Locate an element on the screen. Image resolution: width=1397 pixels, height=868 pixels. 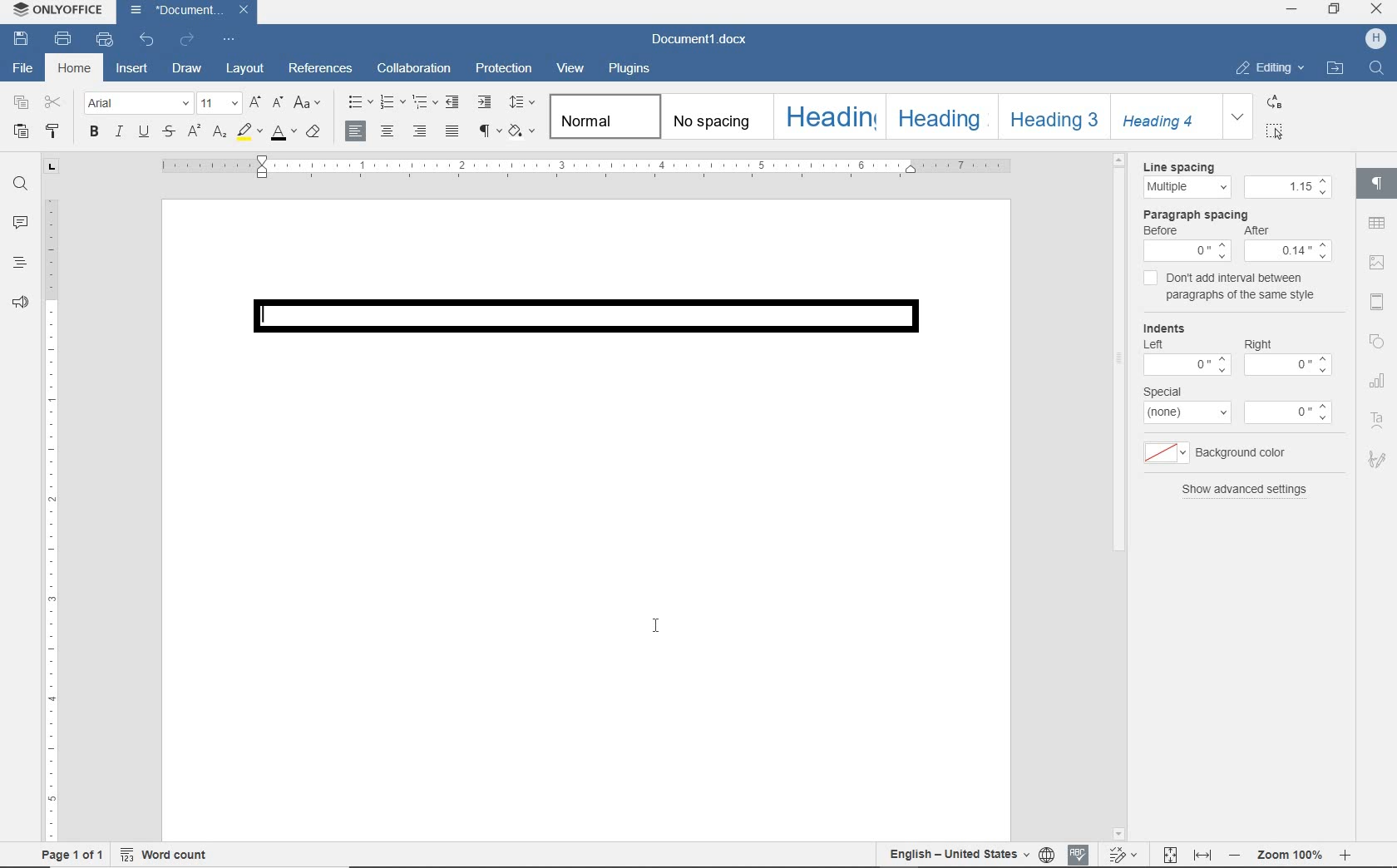
decrease indent is located at coordinates (455, 101).